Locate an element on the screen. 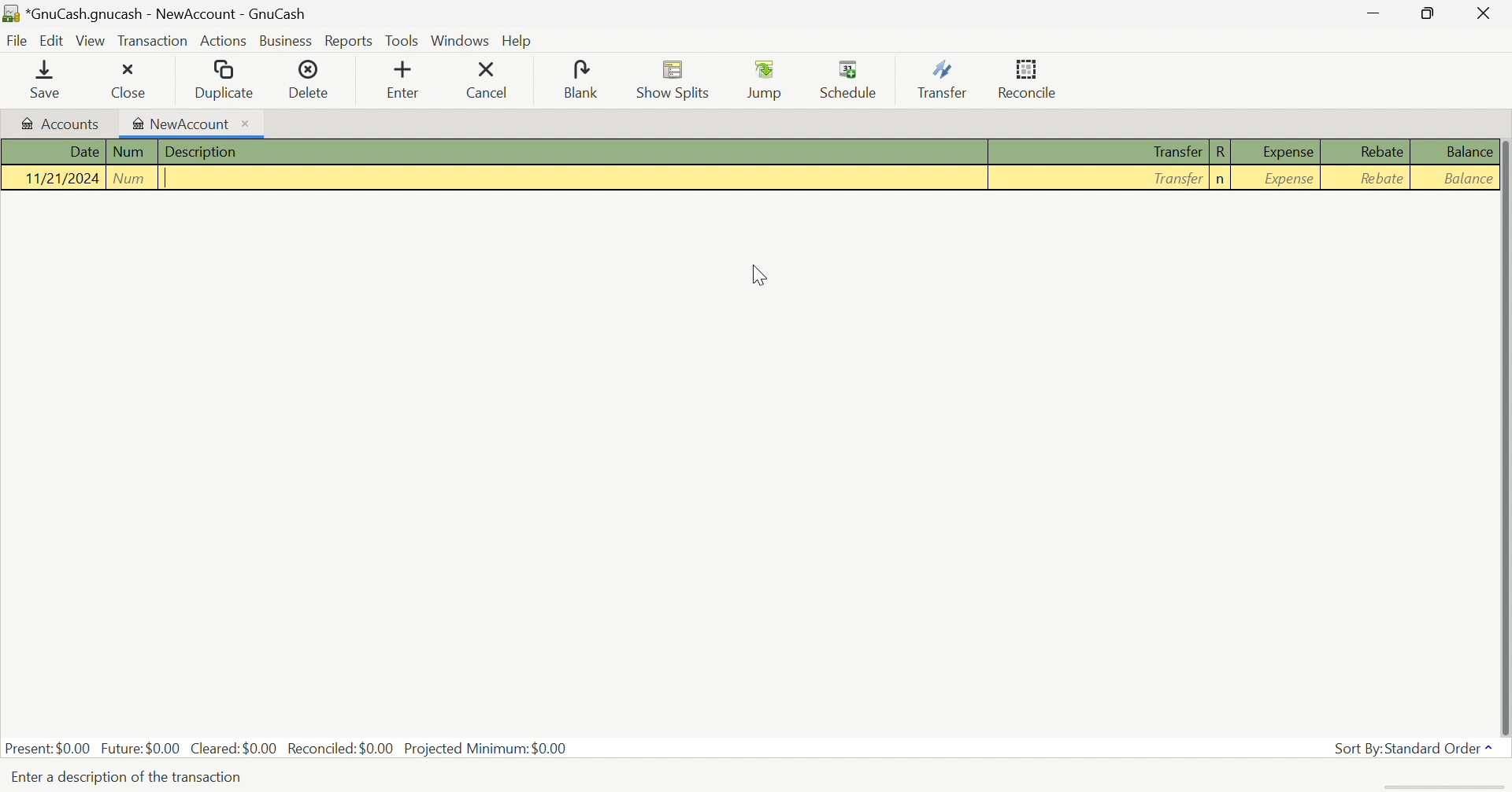  Enter is located at coordinates (412, 81).